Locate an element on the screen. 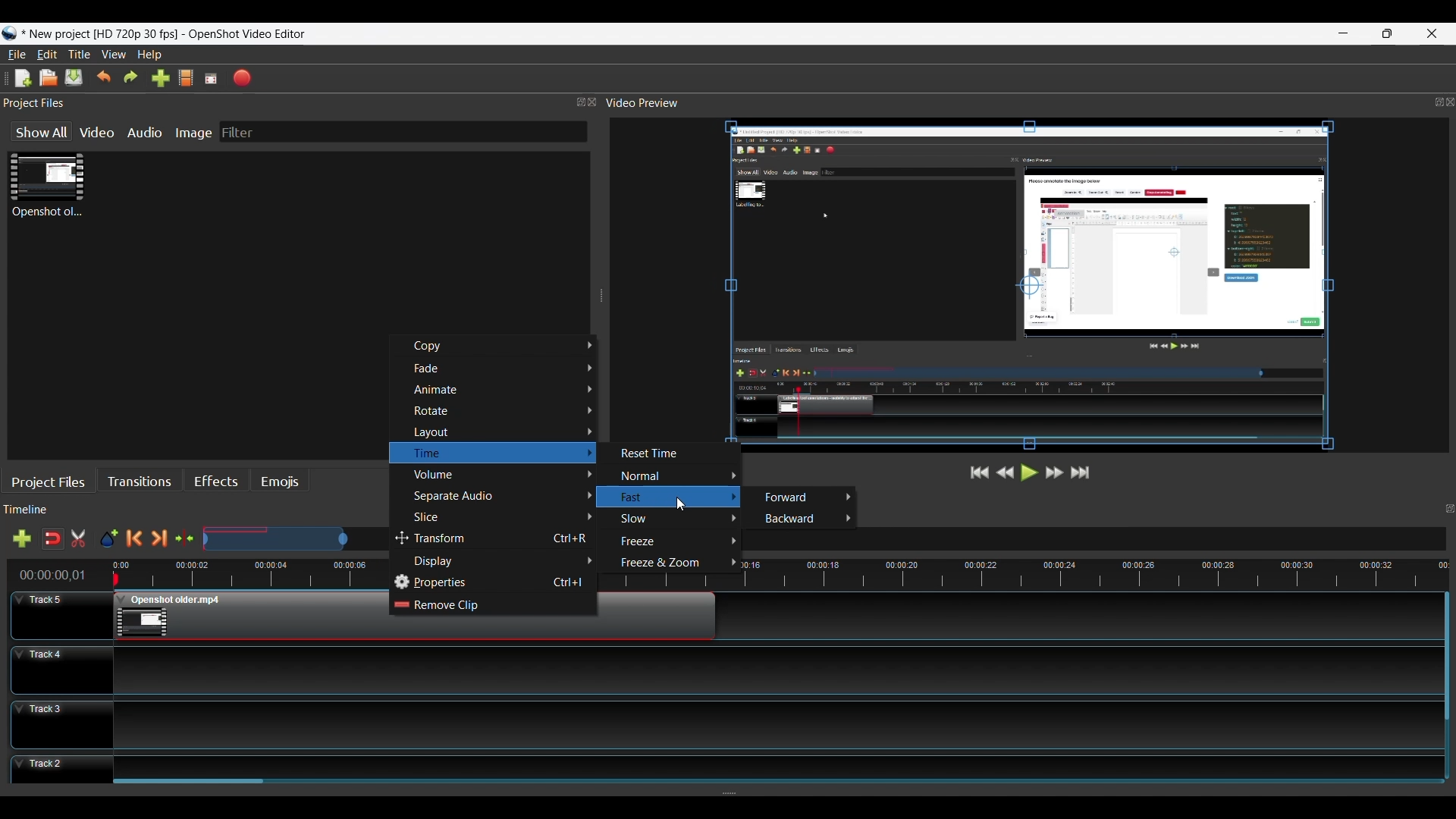 This screenshot has height=819, width=1456. Choose File is located at coordinates (189, 79).